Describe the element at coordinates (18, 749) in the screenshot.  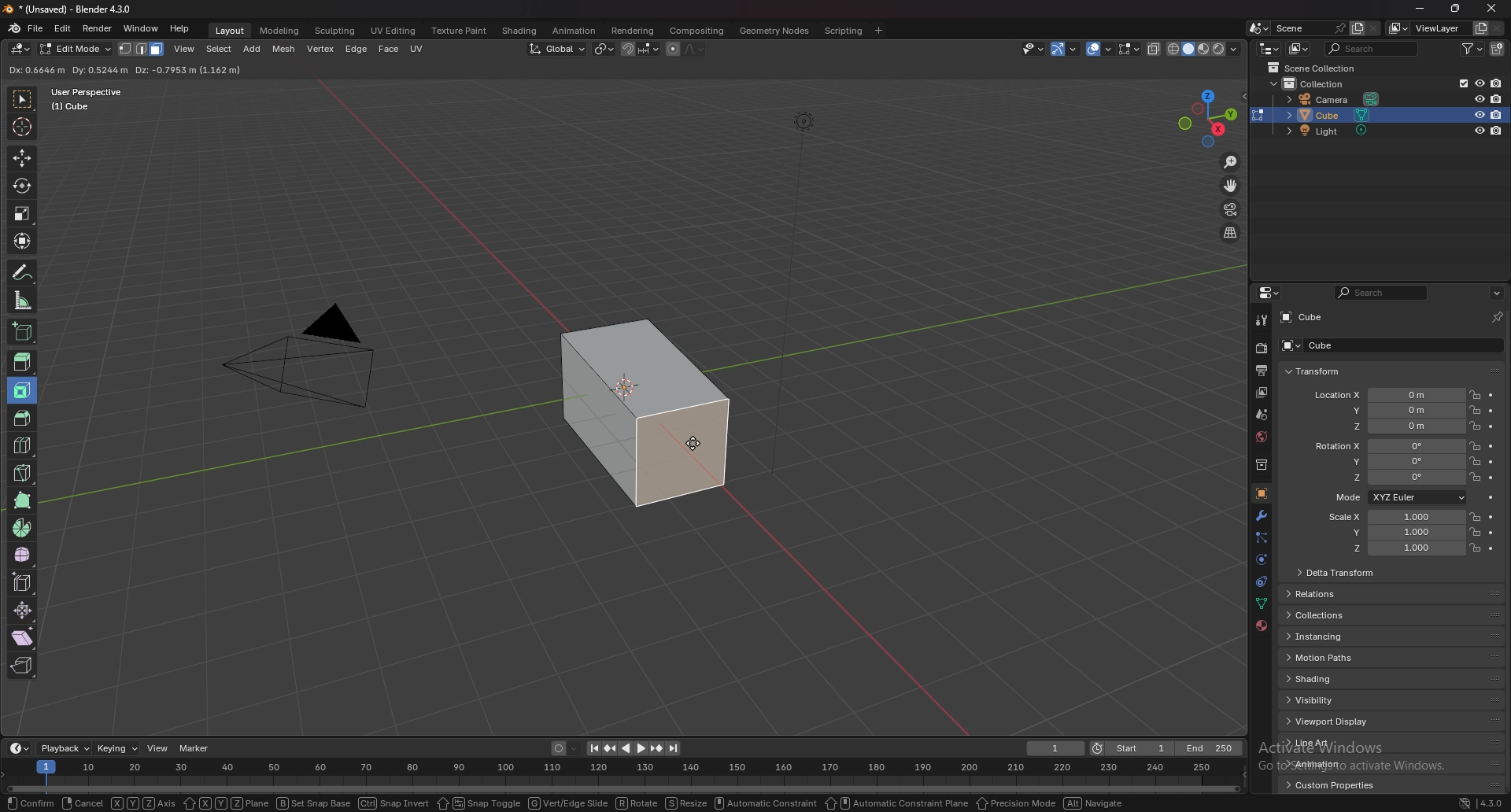
I see `editor type` at that location.